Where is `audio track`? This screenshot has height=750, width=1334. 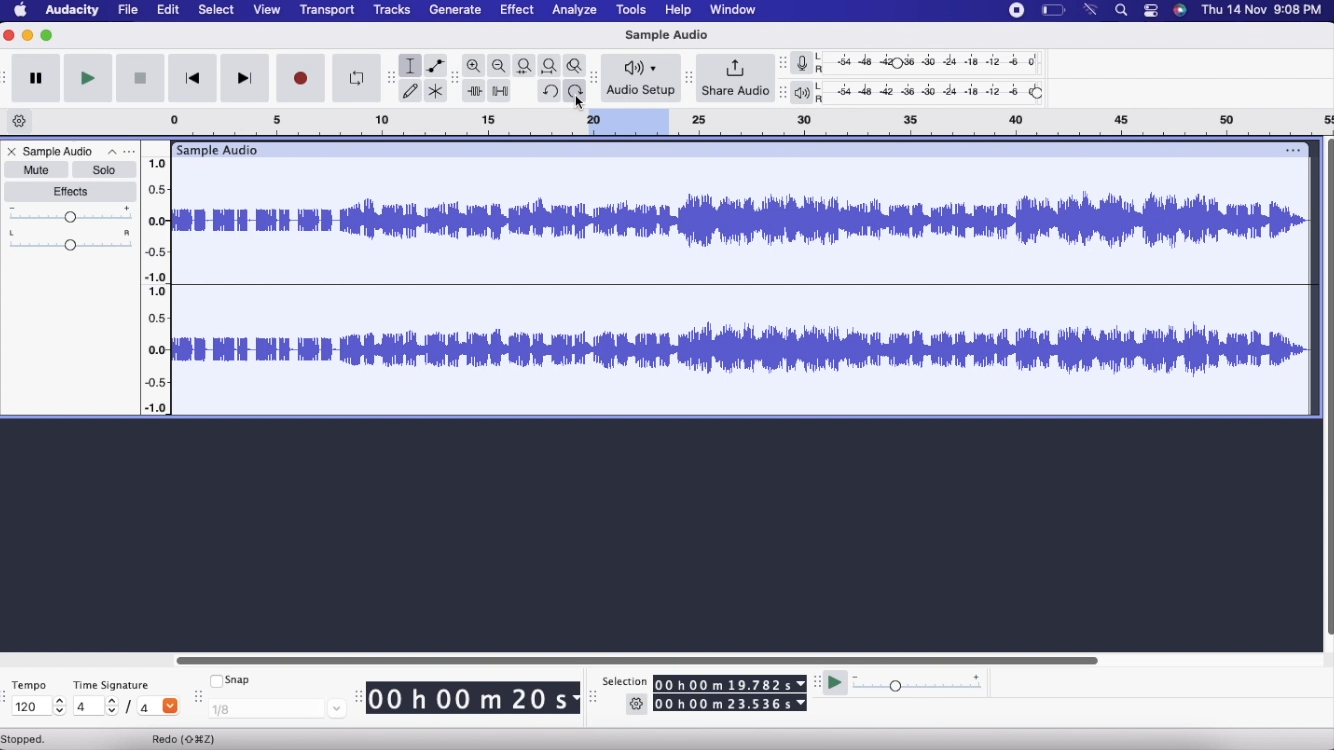
audio track is located at coordinates (739, 350).